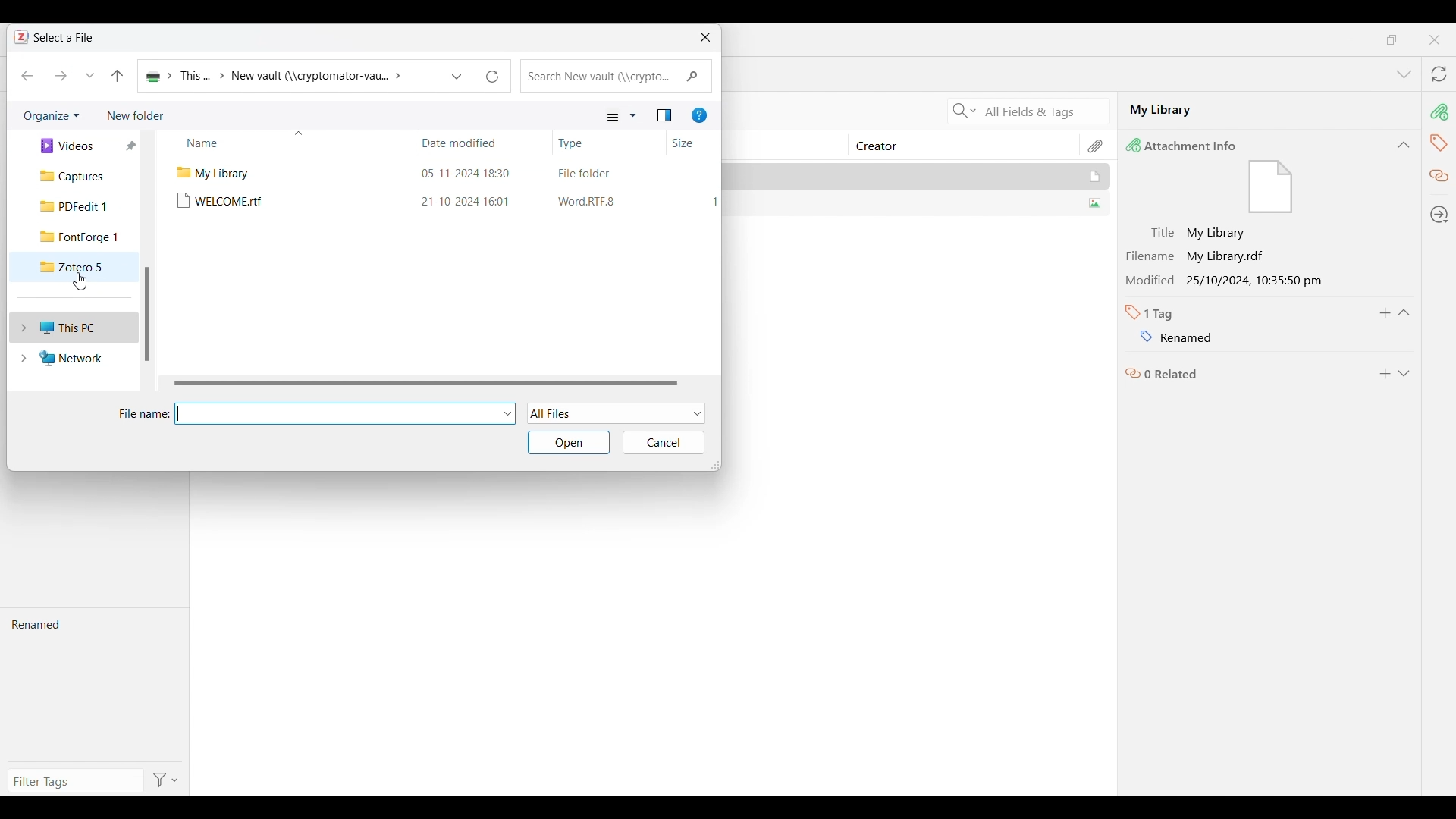 Image resolution: width=1456 pixels, height=819 pixels. I want to click on My Library, so click(915, 175).